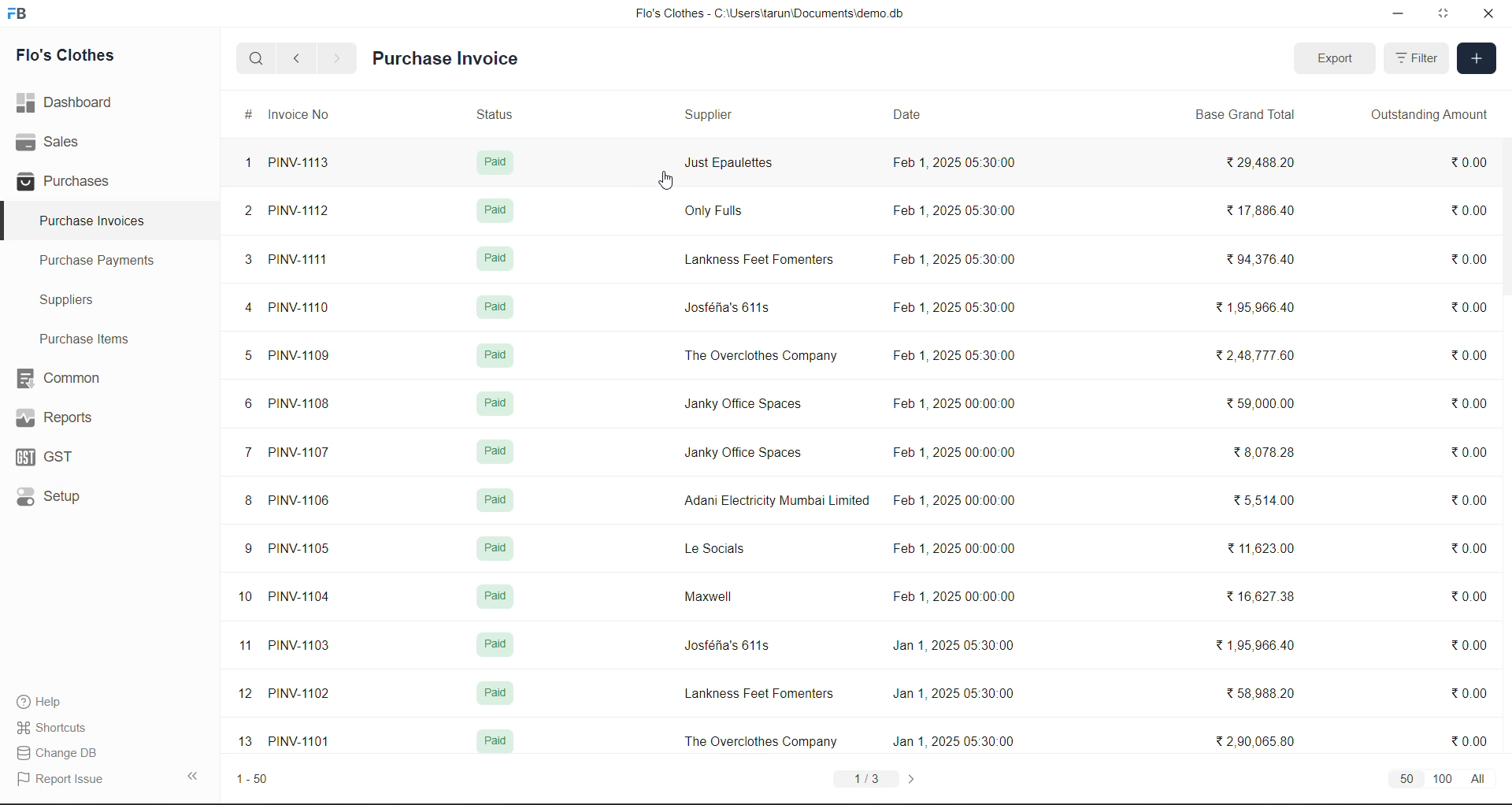 The width and height of the screenshot is (1512, 805). What do you see at coordinates (962, 451) in the screenshot?
I see `Feb 1, 2025 00:00:00` at bounding box center [962, 451].